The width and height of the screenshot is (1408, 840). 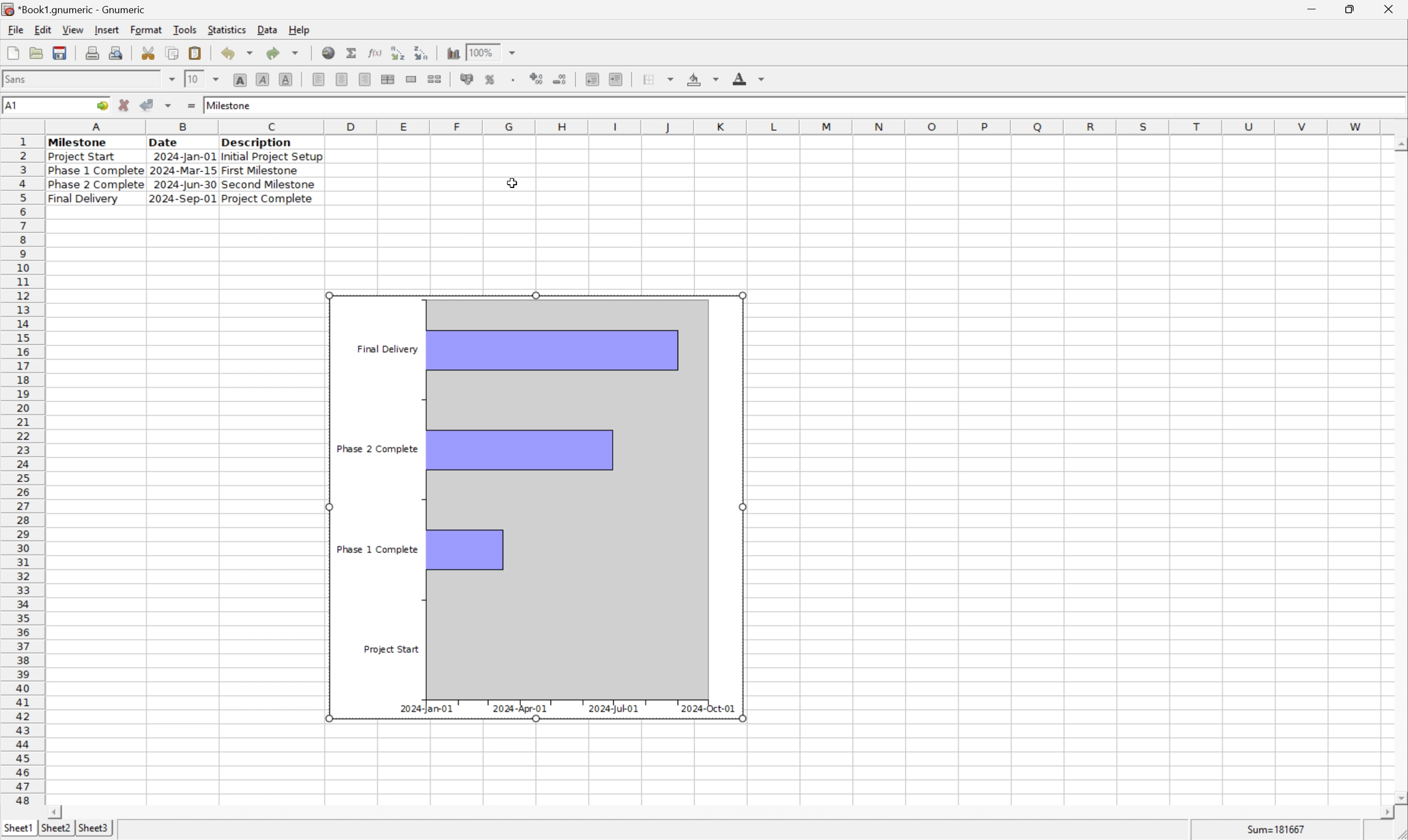 What do you see at coordinates (341, 80) in the screenshot?
I see `center horizontally` at bounding box center [341, 80].